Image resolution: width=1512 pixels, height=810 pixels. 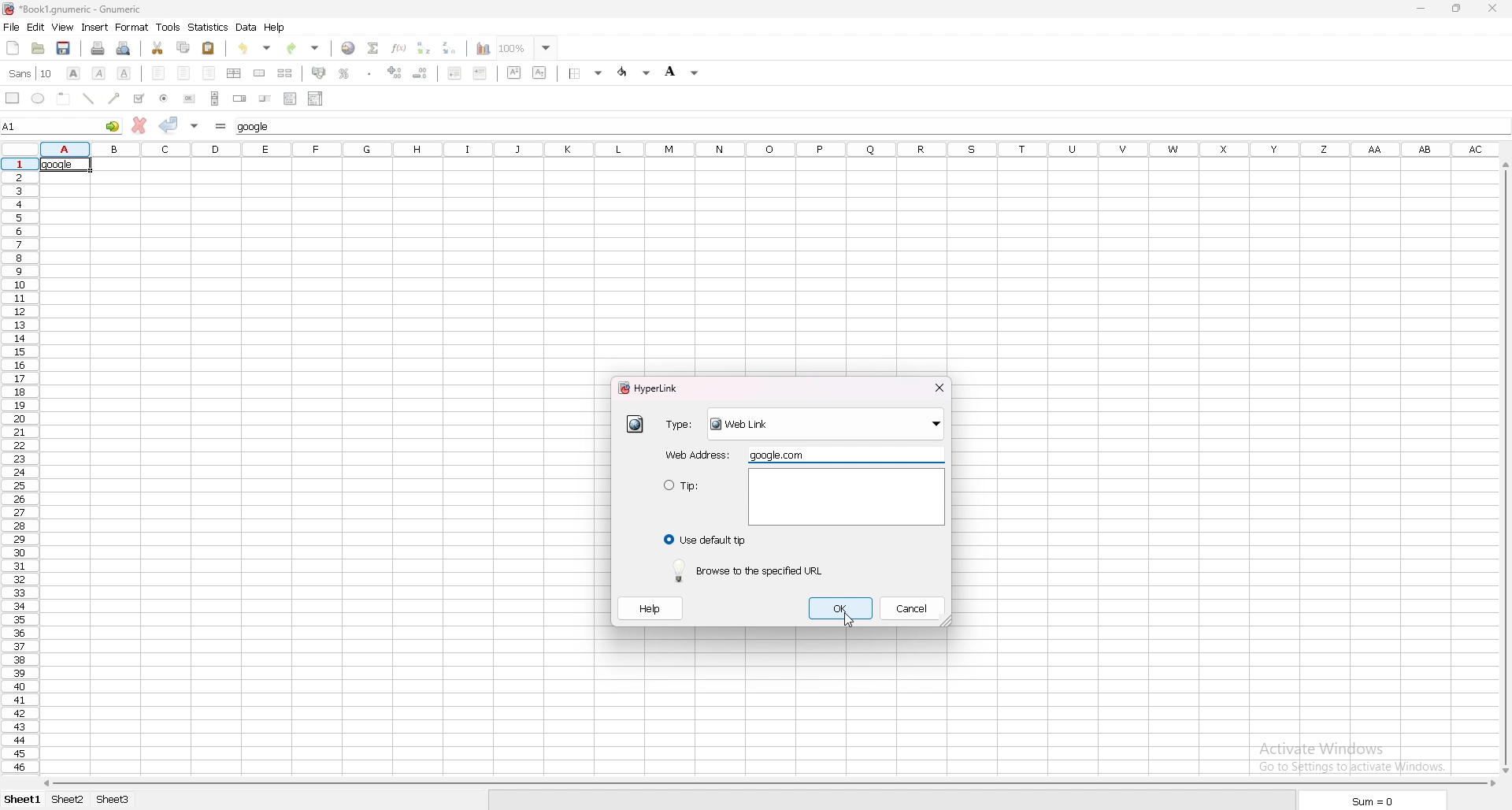 What do you see at coordinates (158, 72) in the screenshot?
I see `left align` at bounding box center [158, 72].